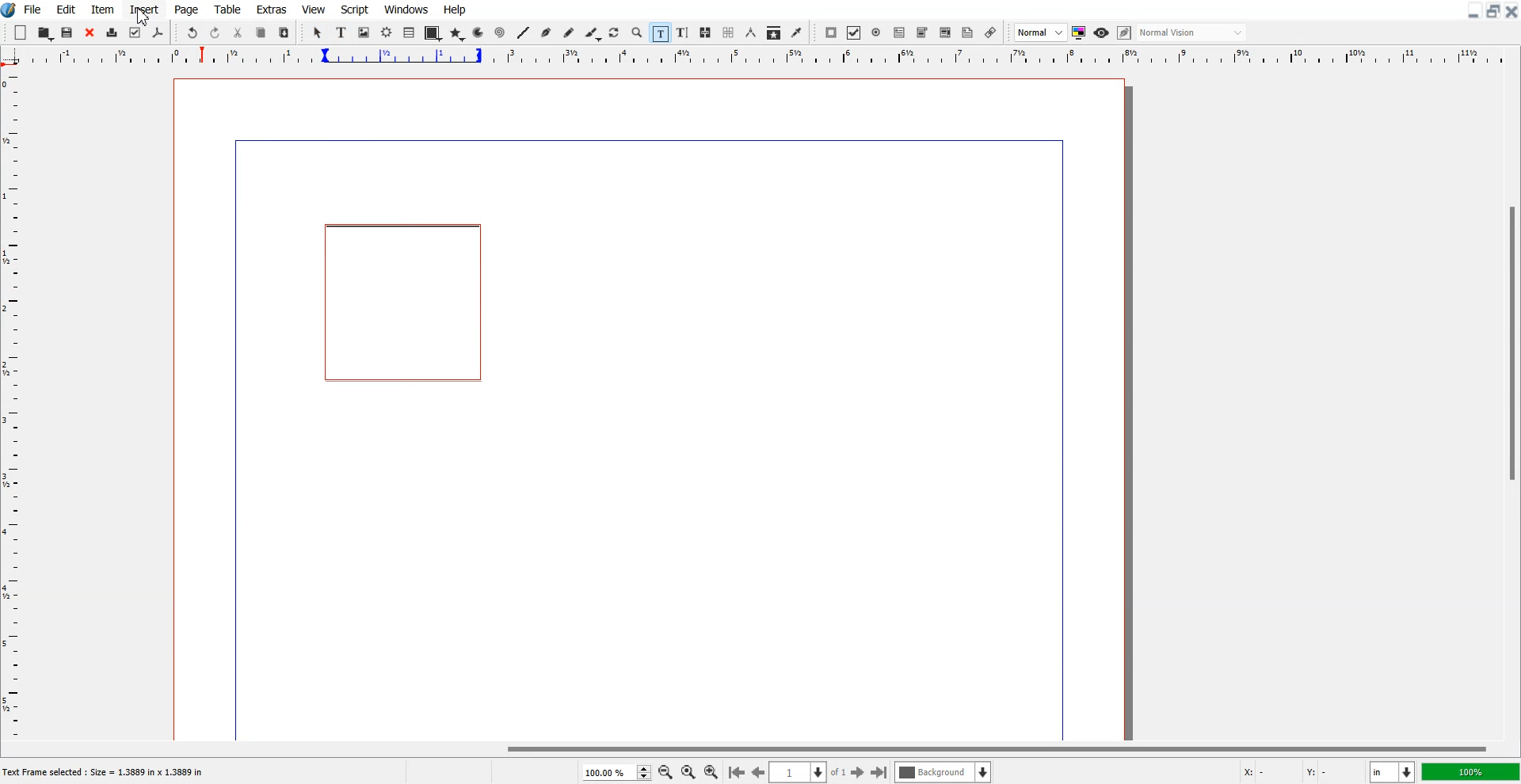  I want to click on Edit content of frame, so click(660, 32).